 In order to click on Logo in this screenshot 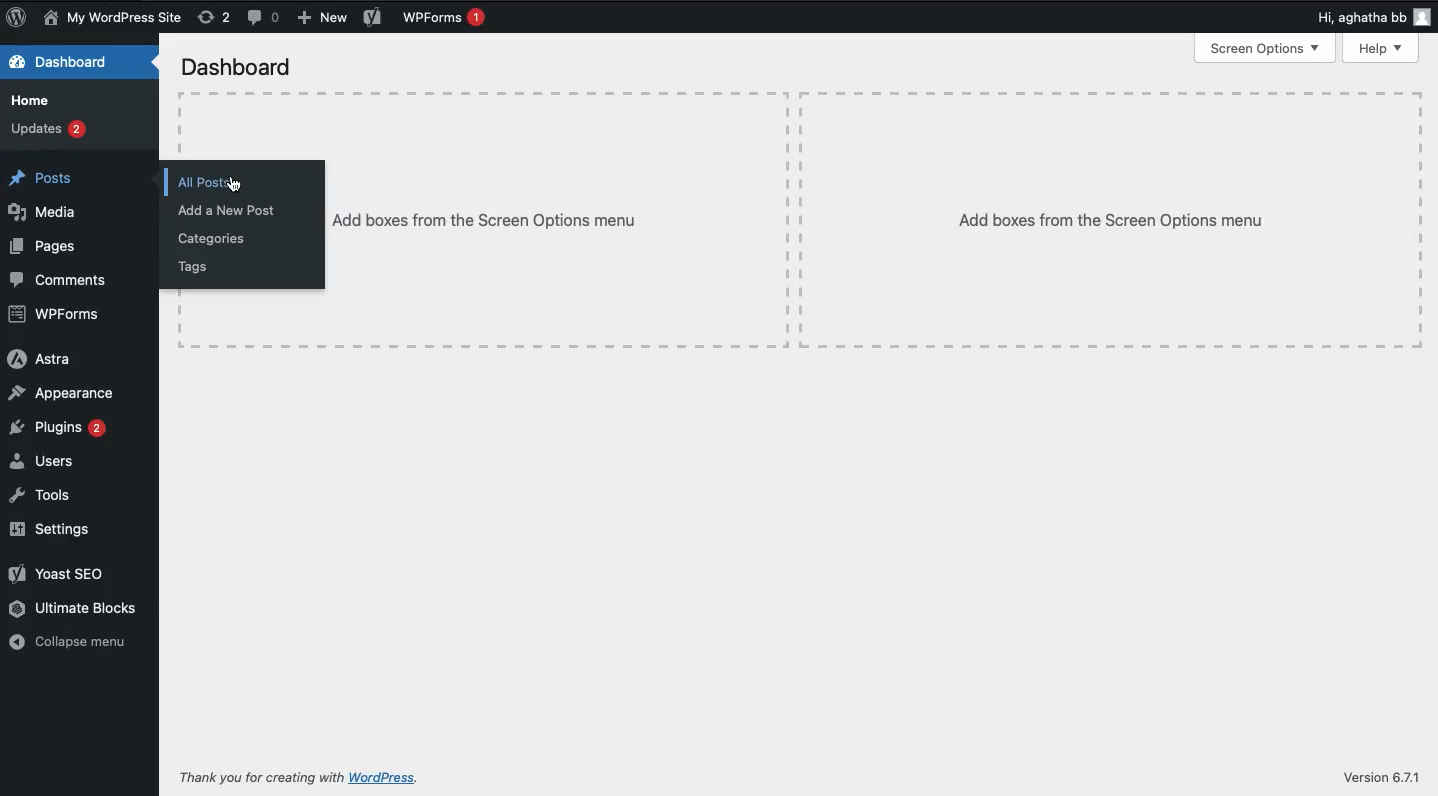, I will do `click(19, 17)`.